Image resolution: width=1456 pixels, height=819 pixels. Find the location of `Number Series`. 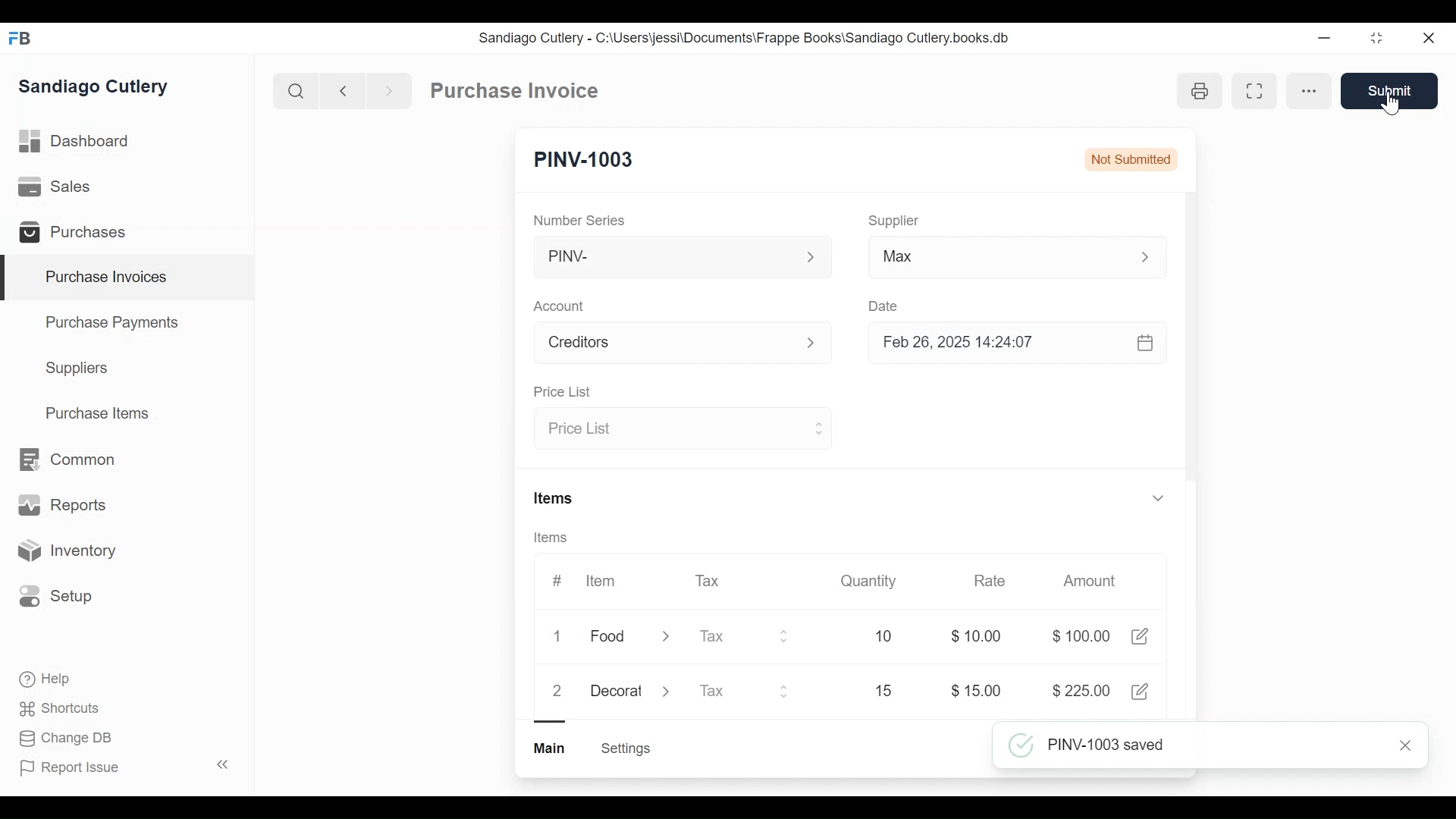

Number Series is located at coordinates (581, 220).